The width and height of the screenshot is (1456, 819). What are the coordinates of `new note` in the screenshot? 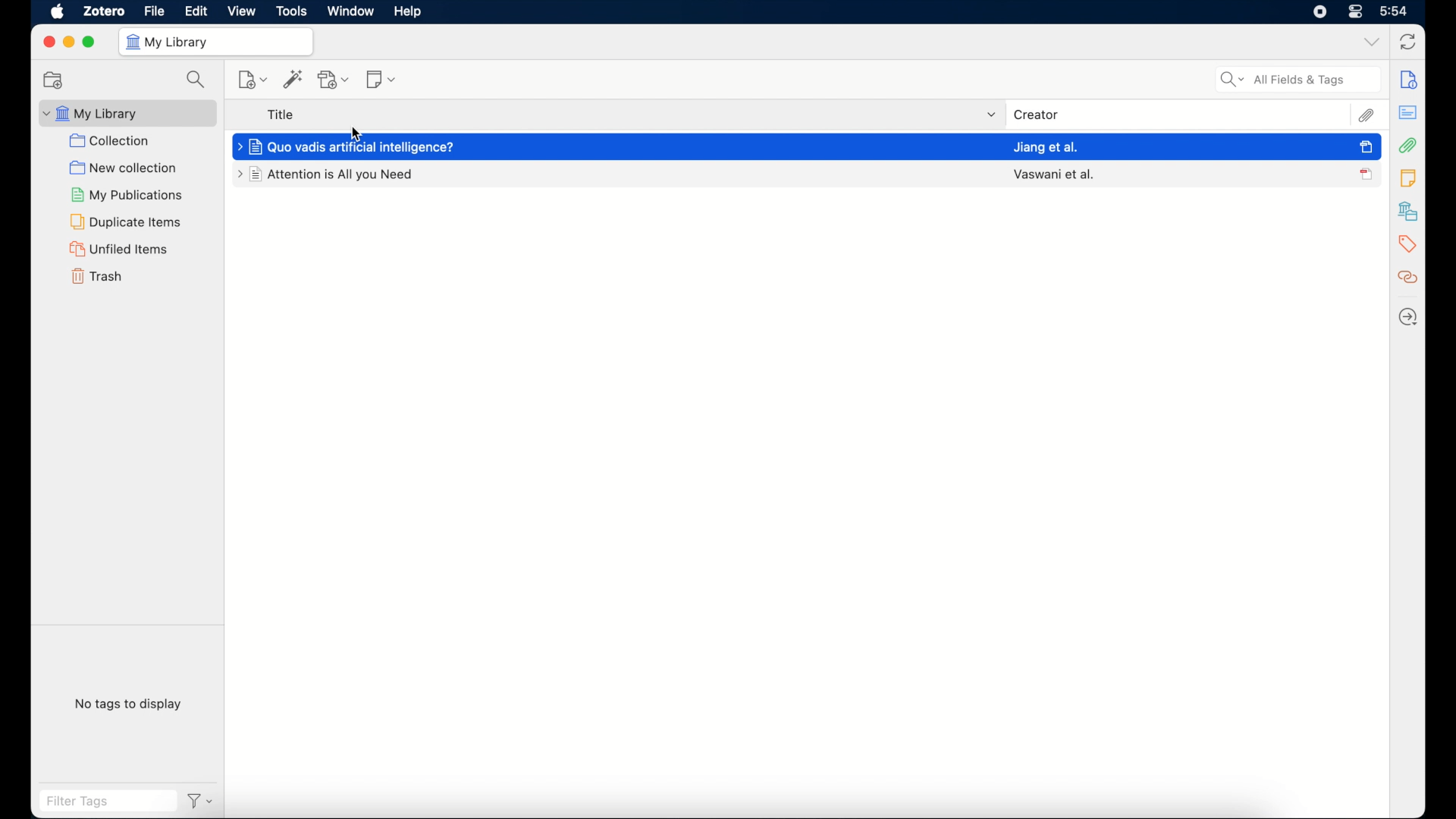 It's located at (381, 79).